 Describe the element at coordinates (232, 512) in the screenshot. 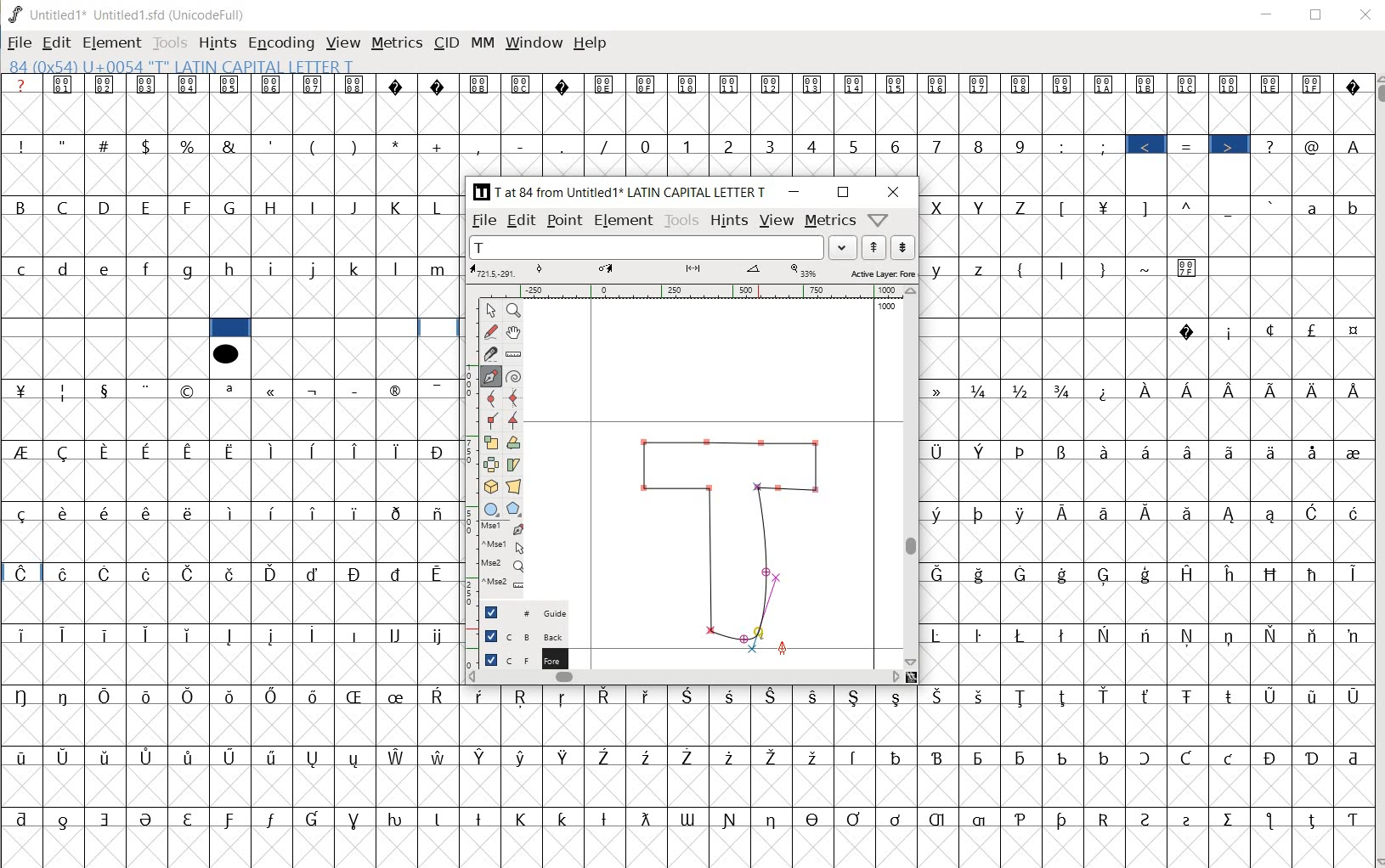

I see `Symbol` at that location.